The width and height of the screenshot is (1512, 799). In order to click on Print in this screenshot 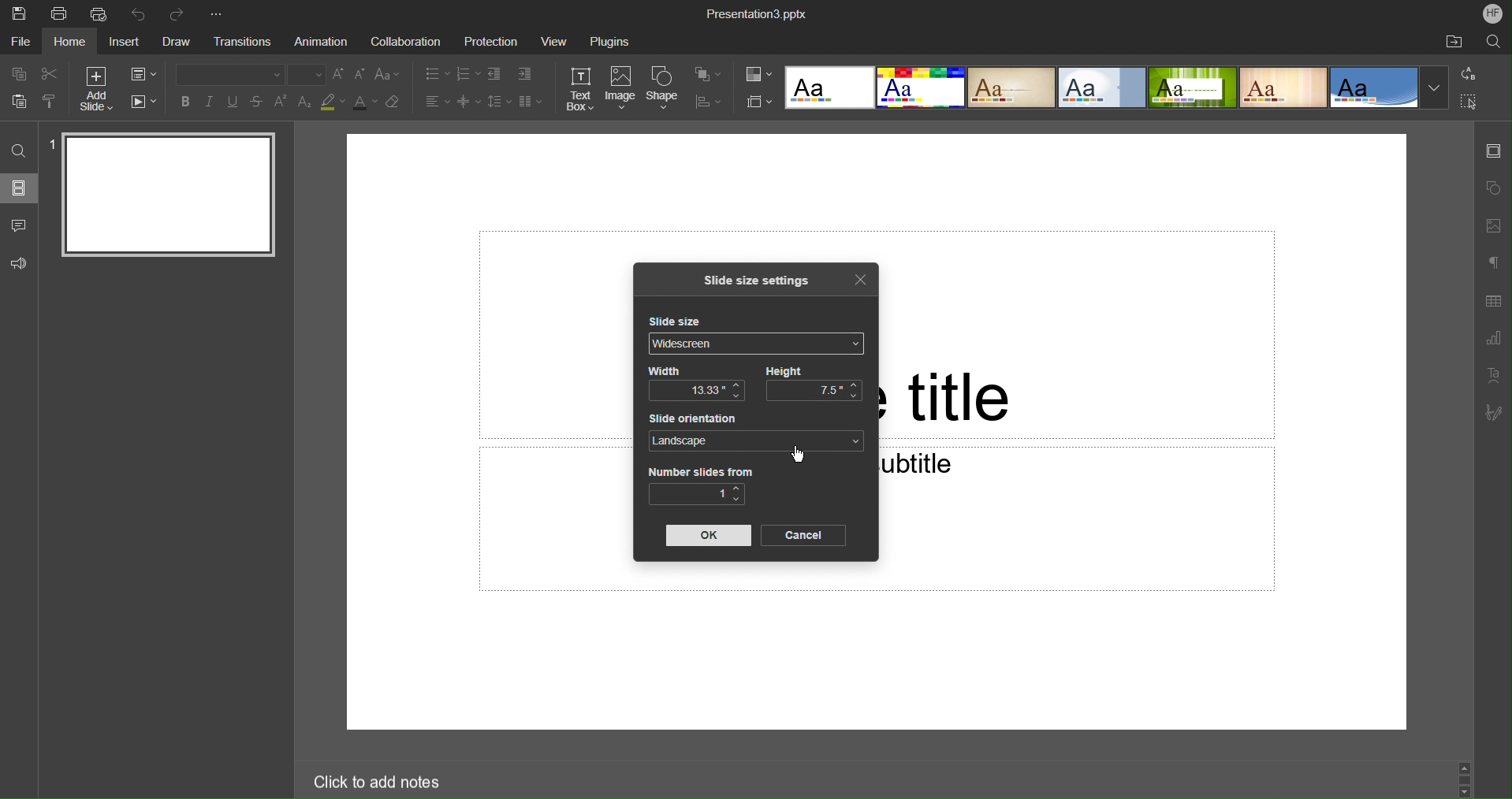, I will do `click(59, 13)`.